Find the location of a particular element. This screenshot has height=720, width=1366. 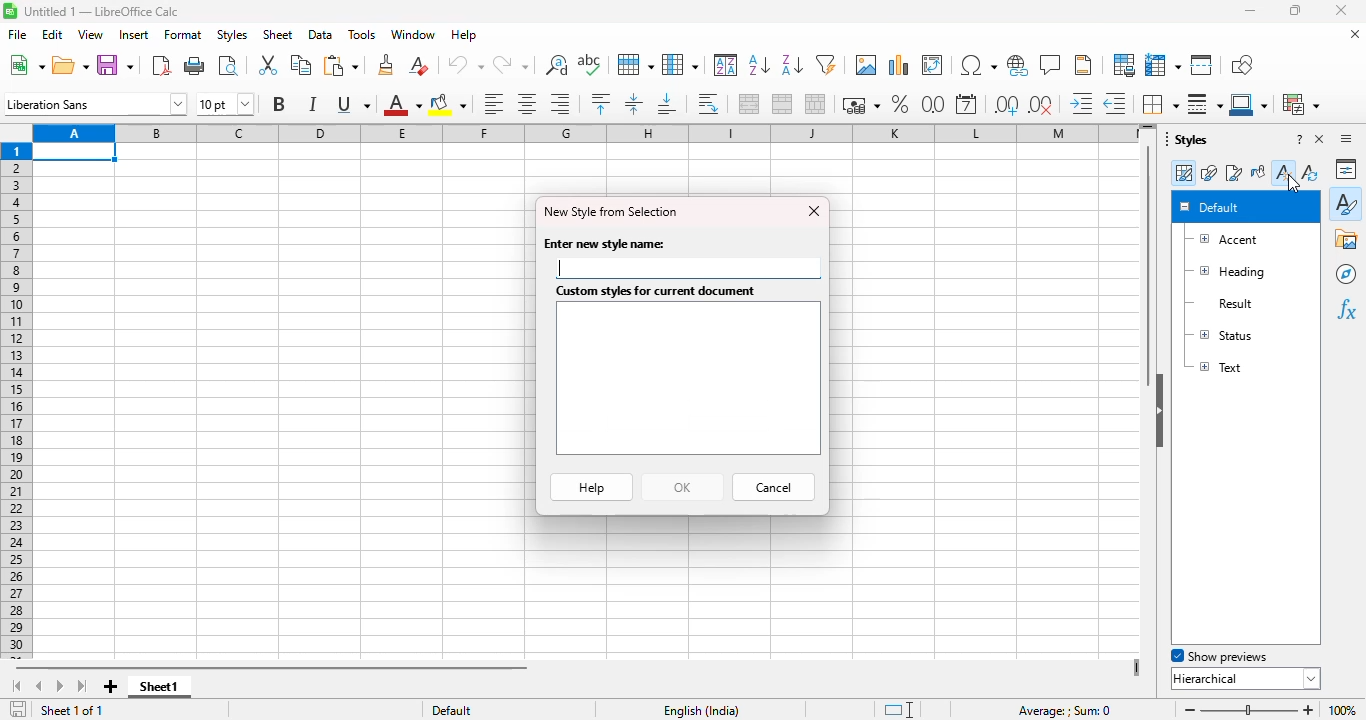

zoom in is located at coordinates (1308, 710).